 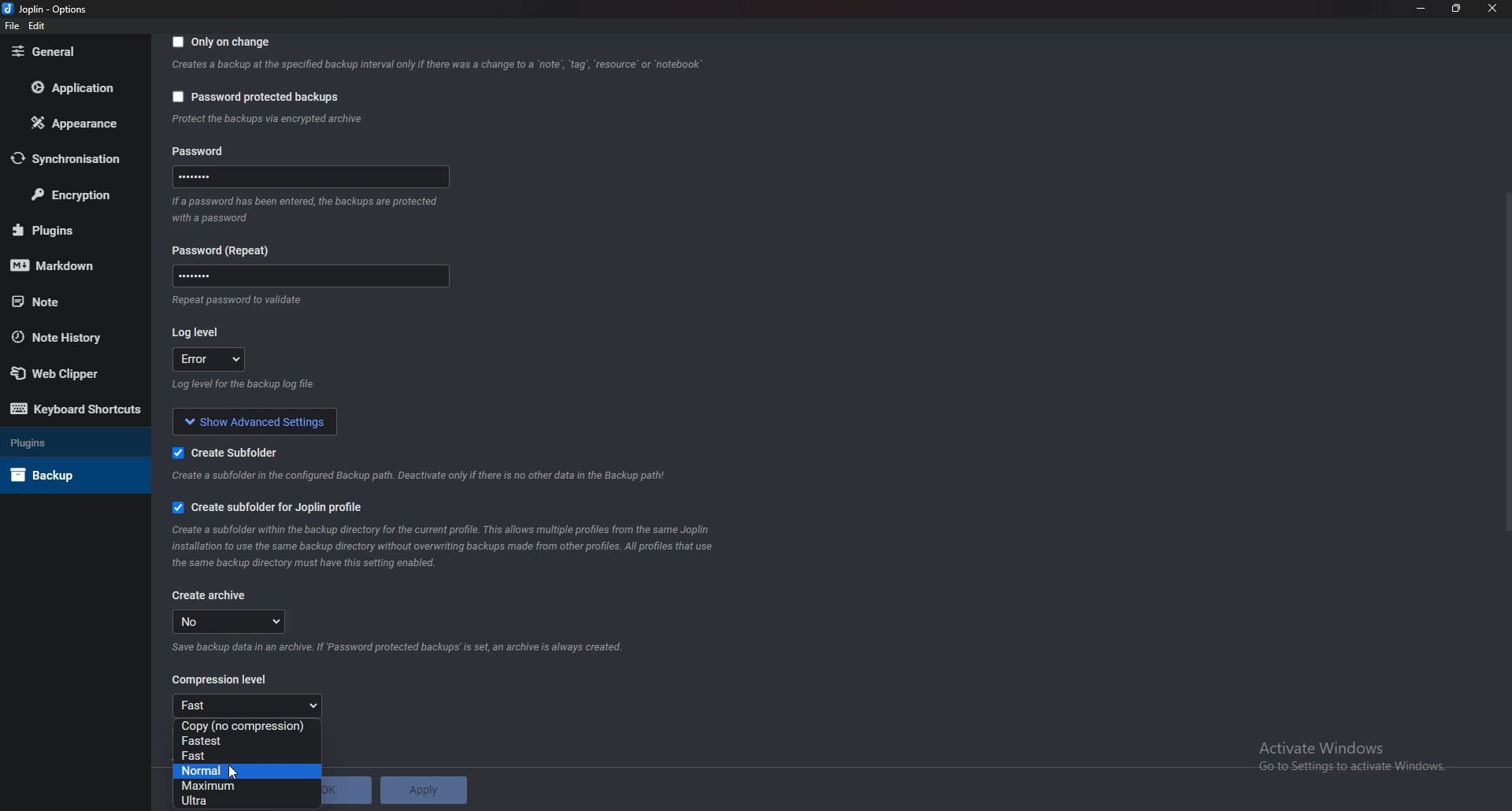 I want to click on Only on change, so click(x=224, y=43).